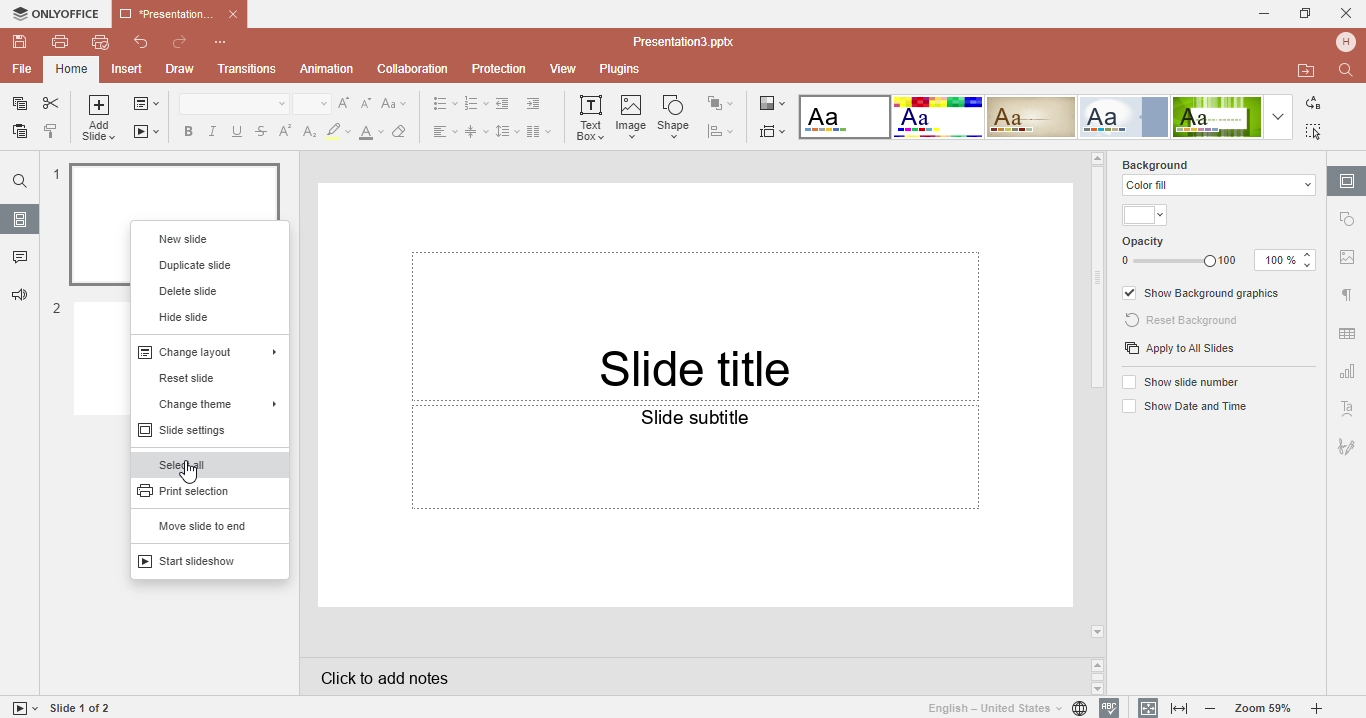  I want to click on Zoom out, so click(1215, 710).